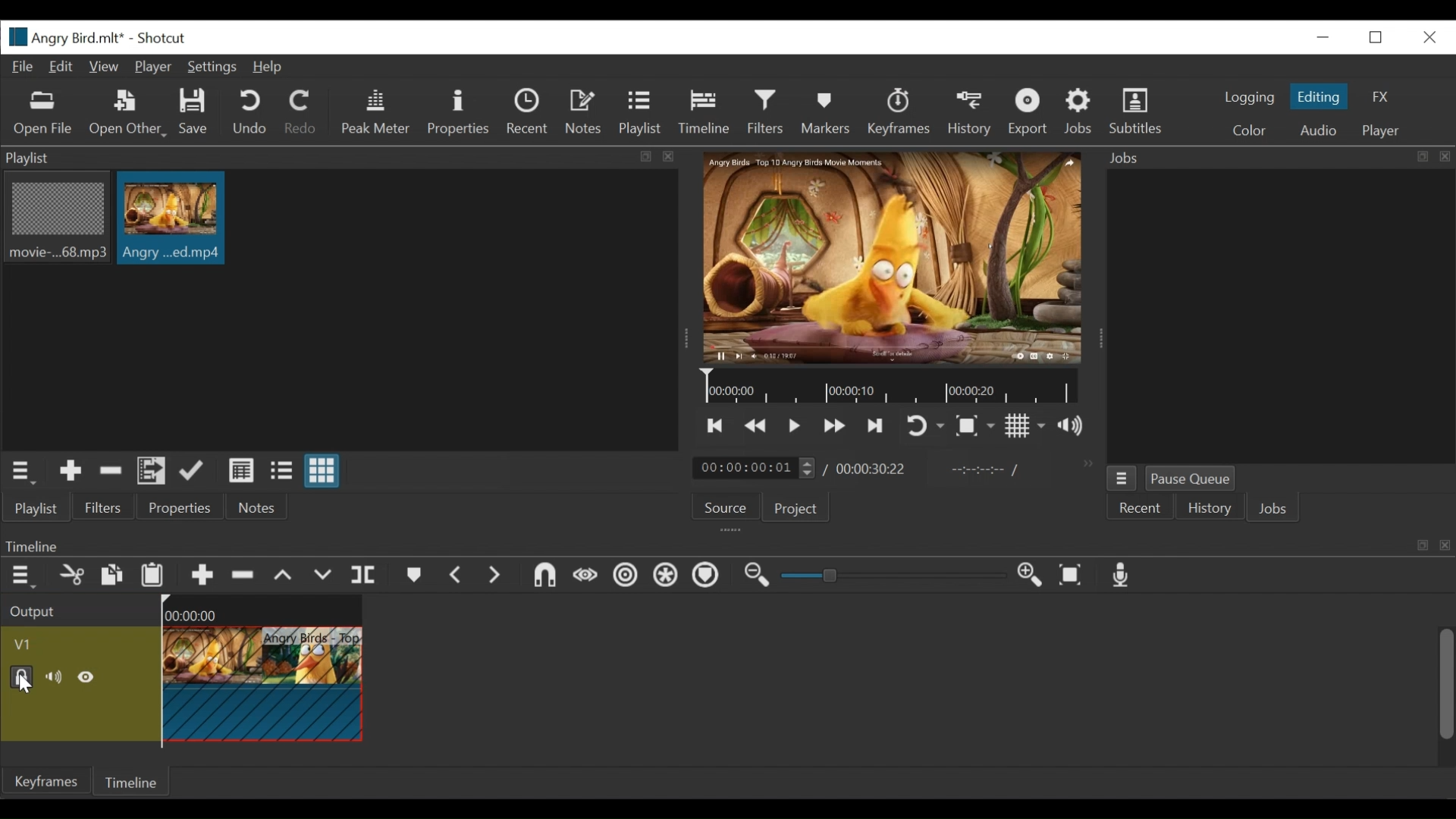 This screenshot has height=819, width=1456. What do you see at coordinates (415, 576) in the screenshot?
I see `Markers` at bounding box center [415, 576].